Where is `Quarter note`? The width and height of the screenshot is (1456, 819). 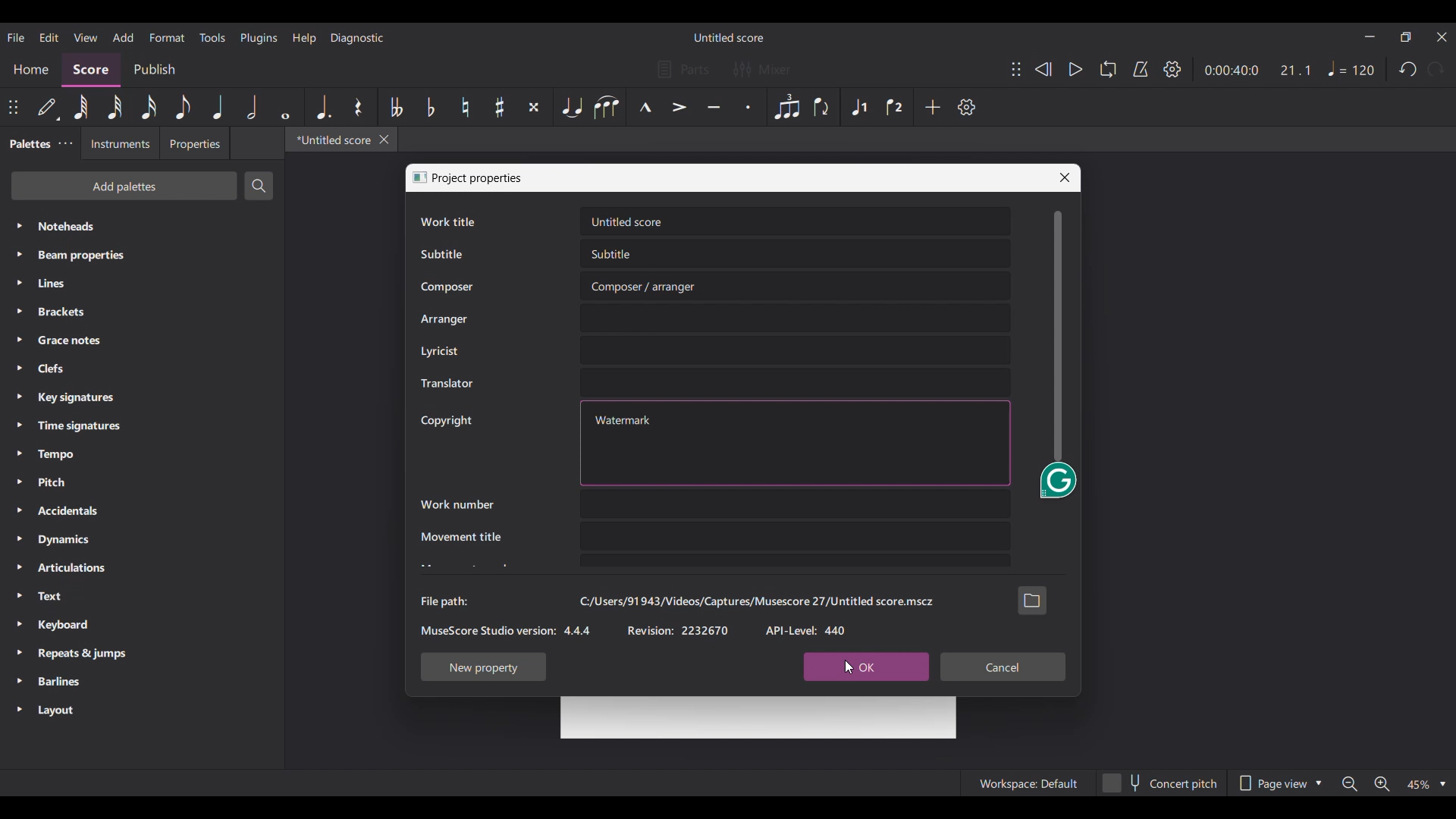
Quarter note is located at coordinates (218, 107).